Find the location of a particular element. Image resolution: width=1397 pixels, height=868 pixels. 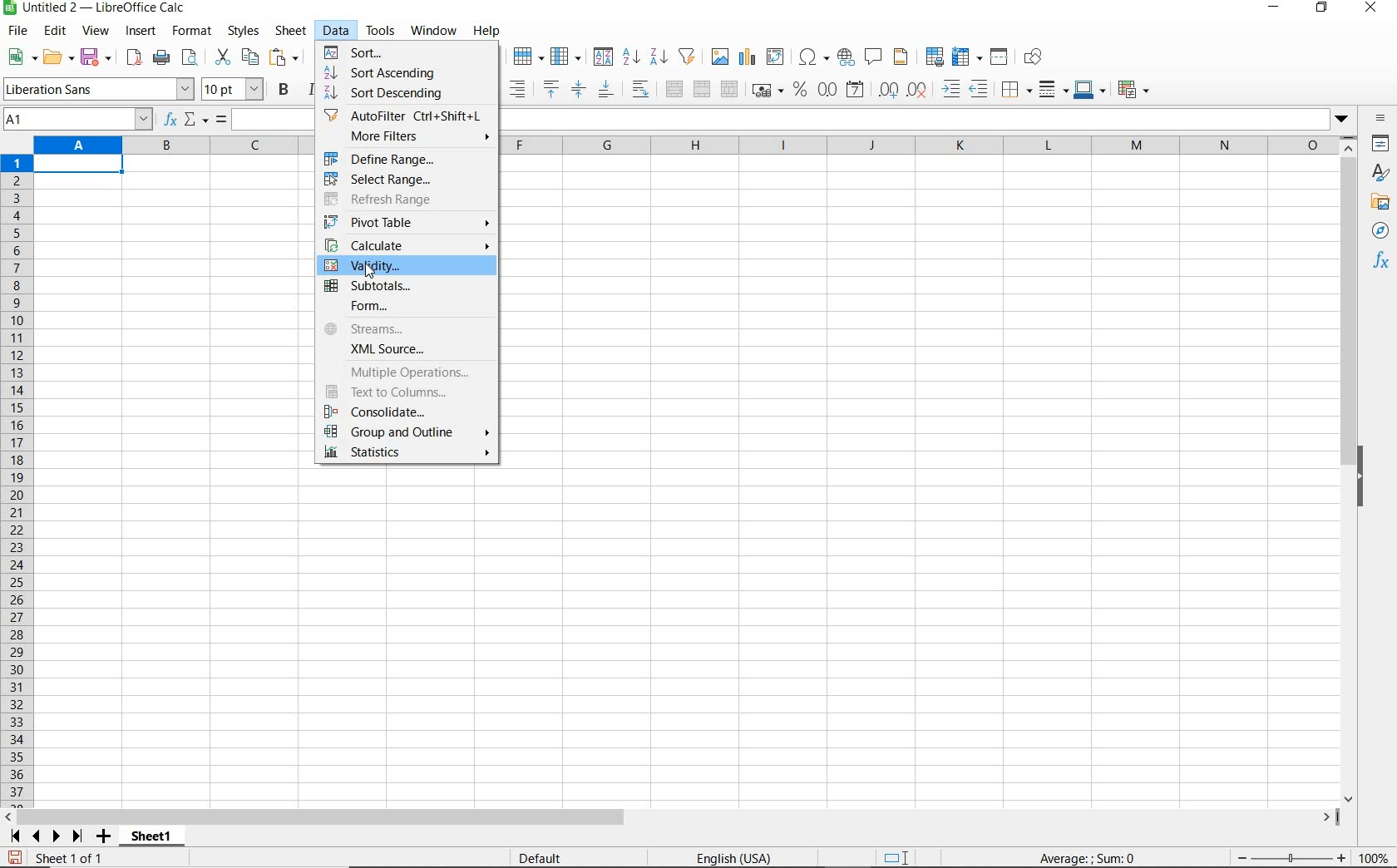

font name is located at coordinates (98, 89).